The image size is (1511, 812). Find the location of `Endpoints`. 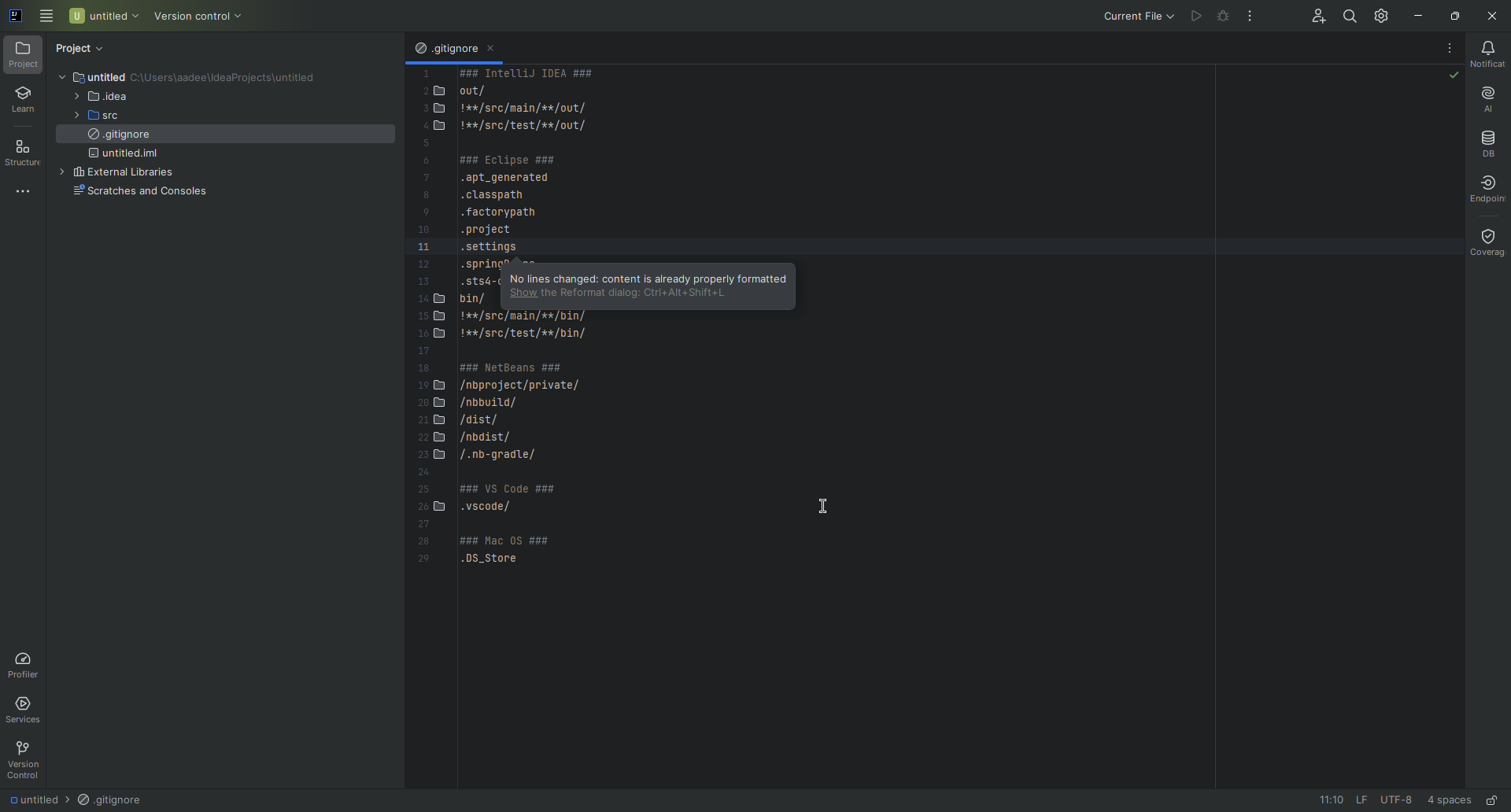

Endpoints is located at coordinates (1491, 190).